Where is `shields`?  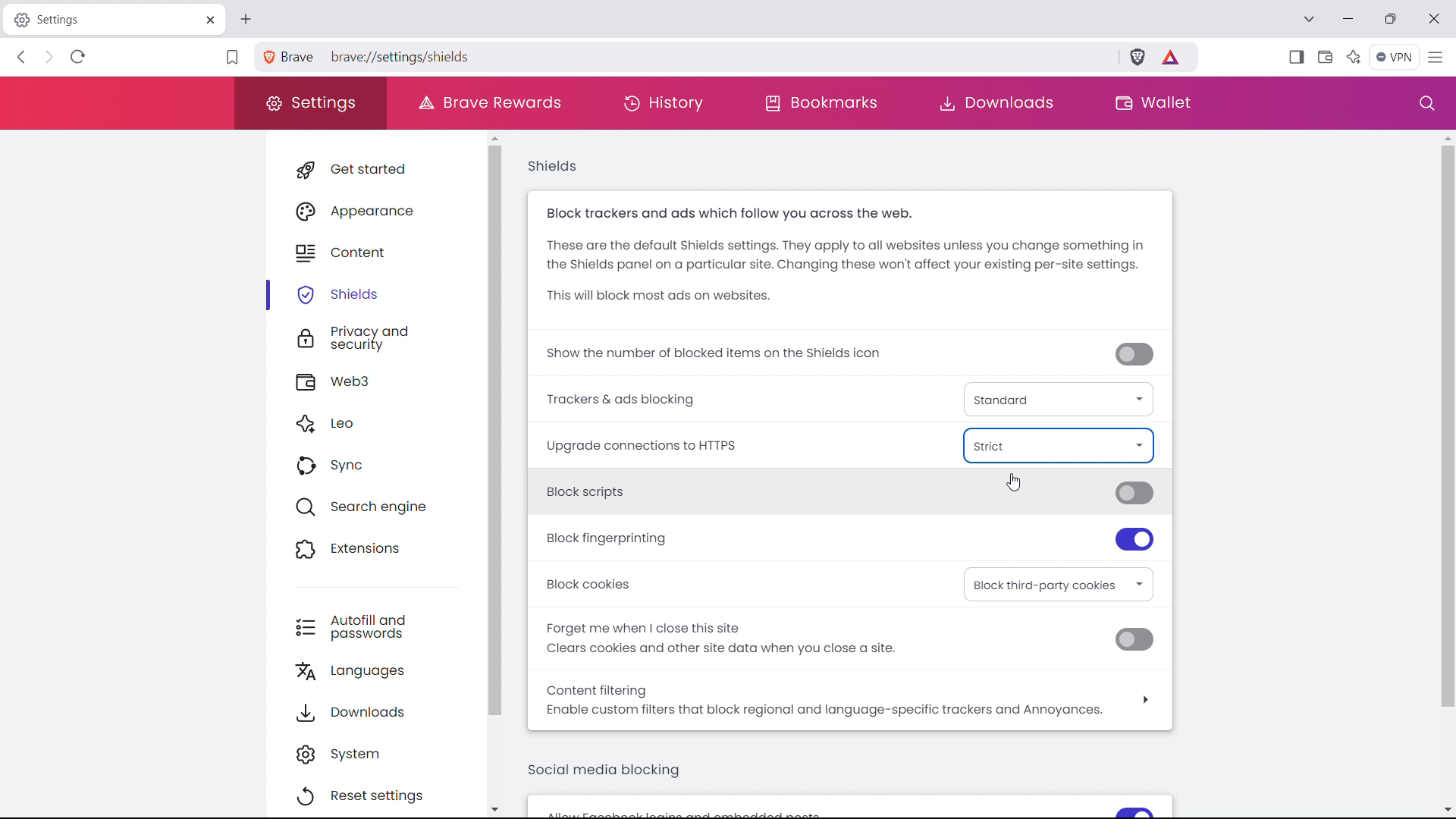 shields is located at coordinates (554, 167).